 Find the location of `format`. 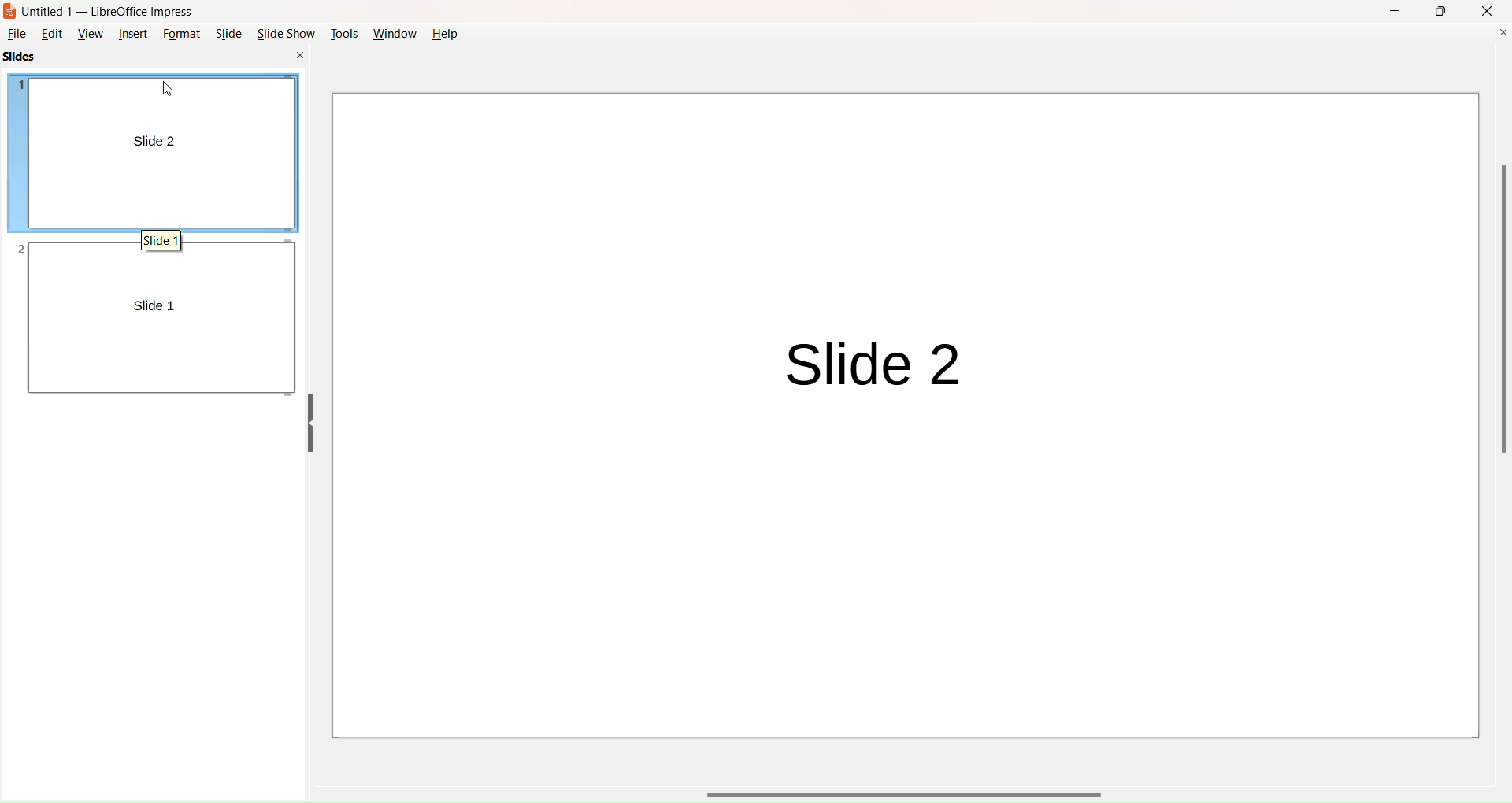

format is located at coordinates (183, 35).